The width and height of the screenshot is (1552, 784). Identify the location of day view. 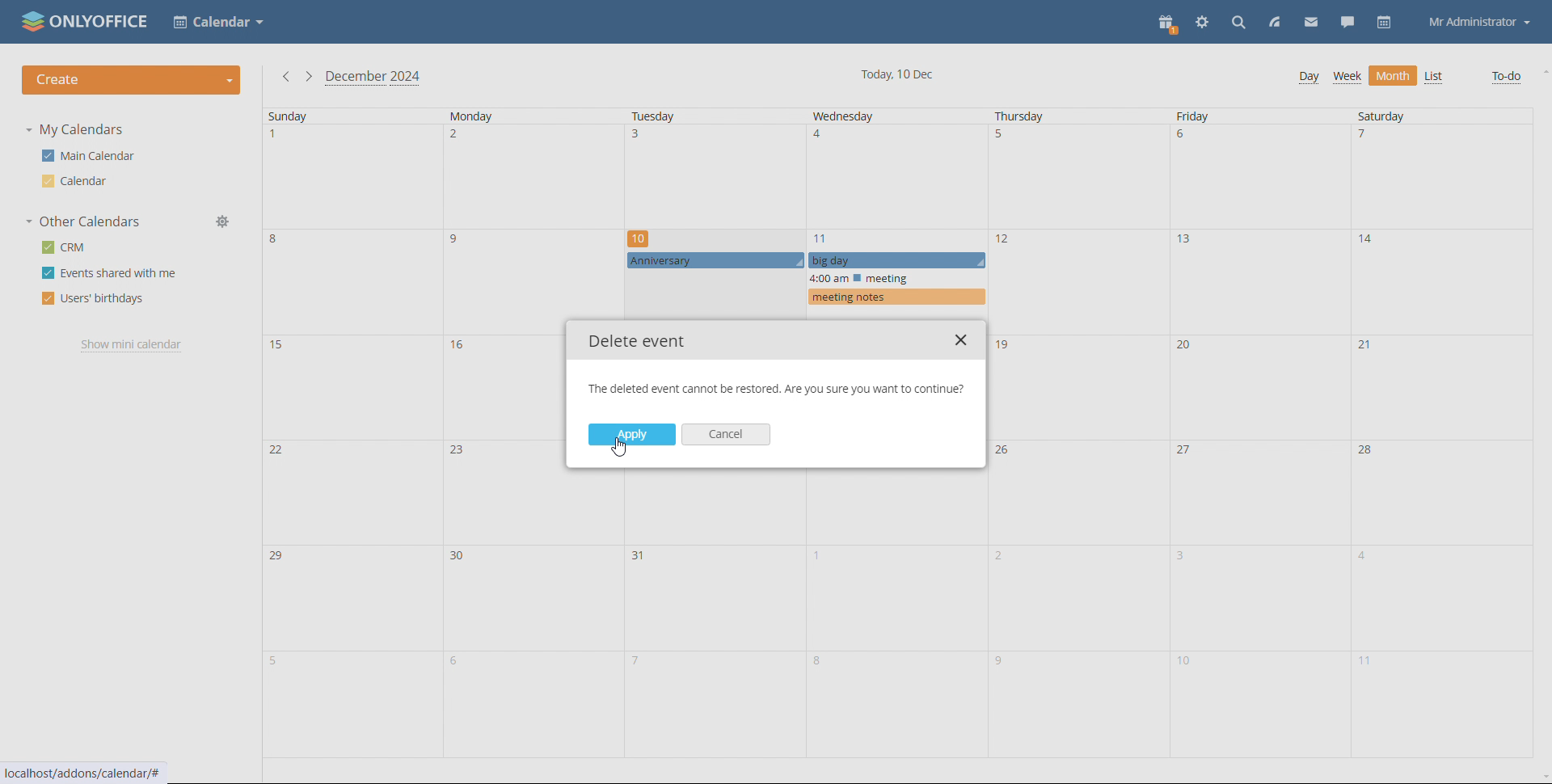
(1309, 77).